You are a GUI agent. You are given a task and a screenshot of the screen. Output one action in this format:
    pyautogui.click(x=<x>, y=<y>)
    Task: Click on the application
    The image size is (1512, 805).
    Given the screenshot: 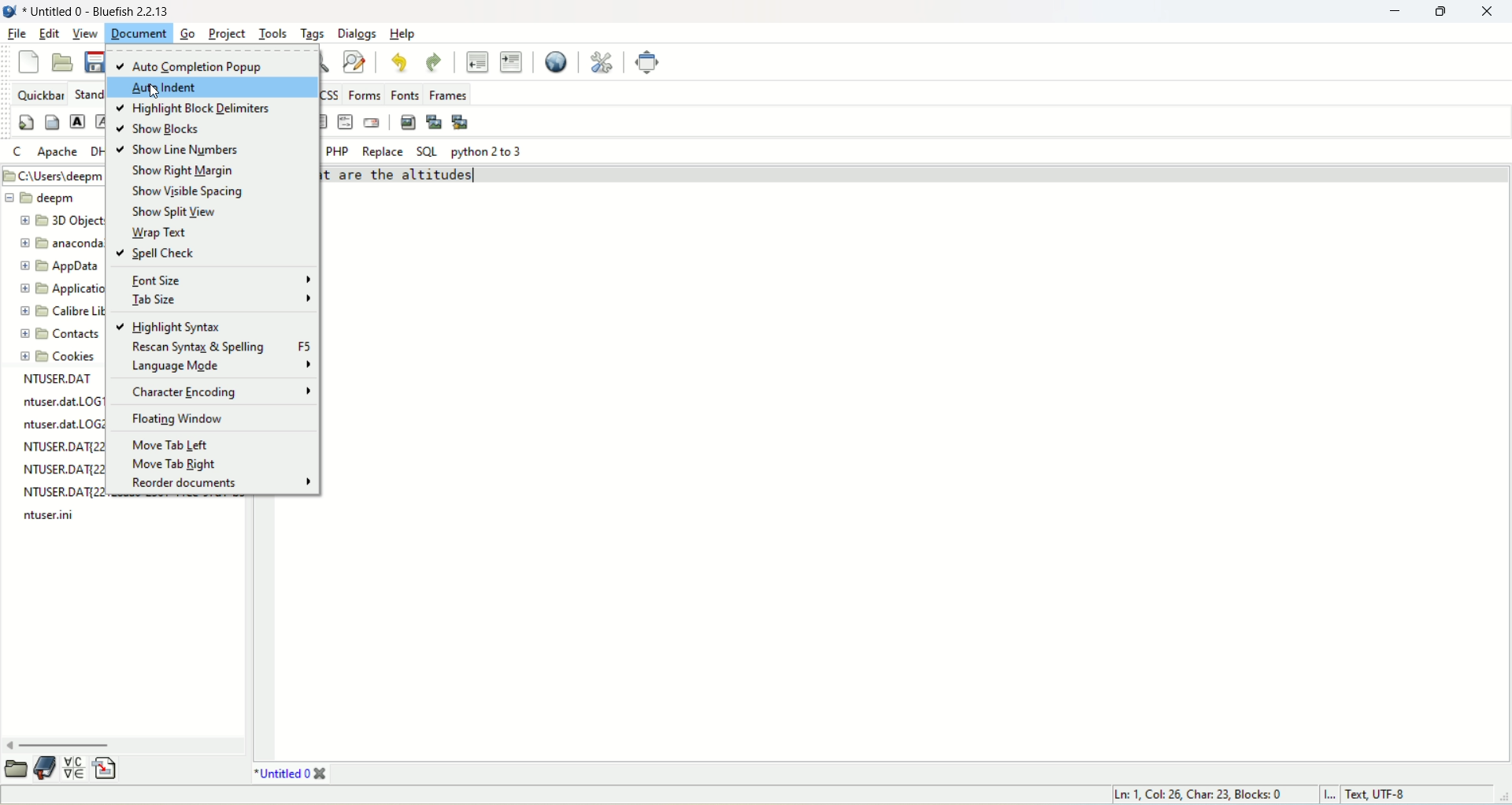 What is the action you would take?
    pyautogui.click(x=63, y=289)
    